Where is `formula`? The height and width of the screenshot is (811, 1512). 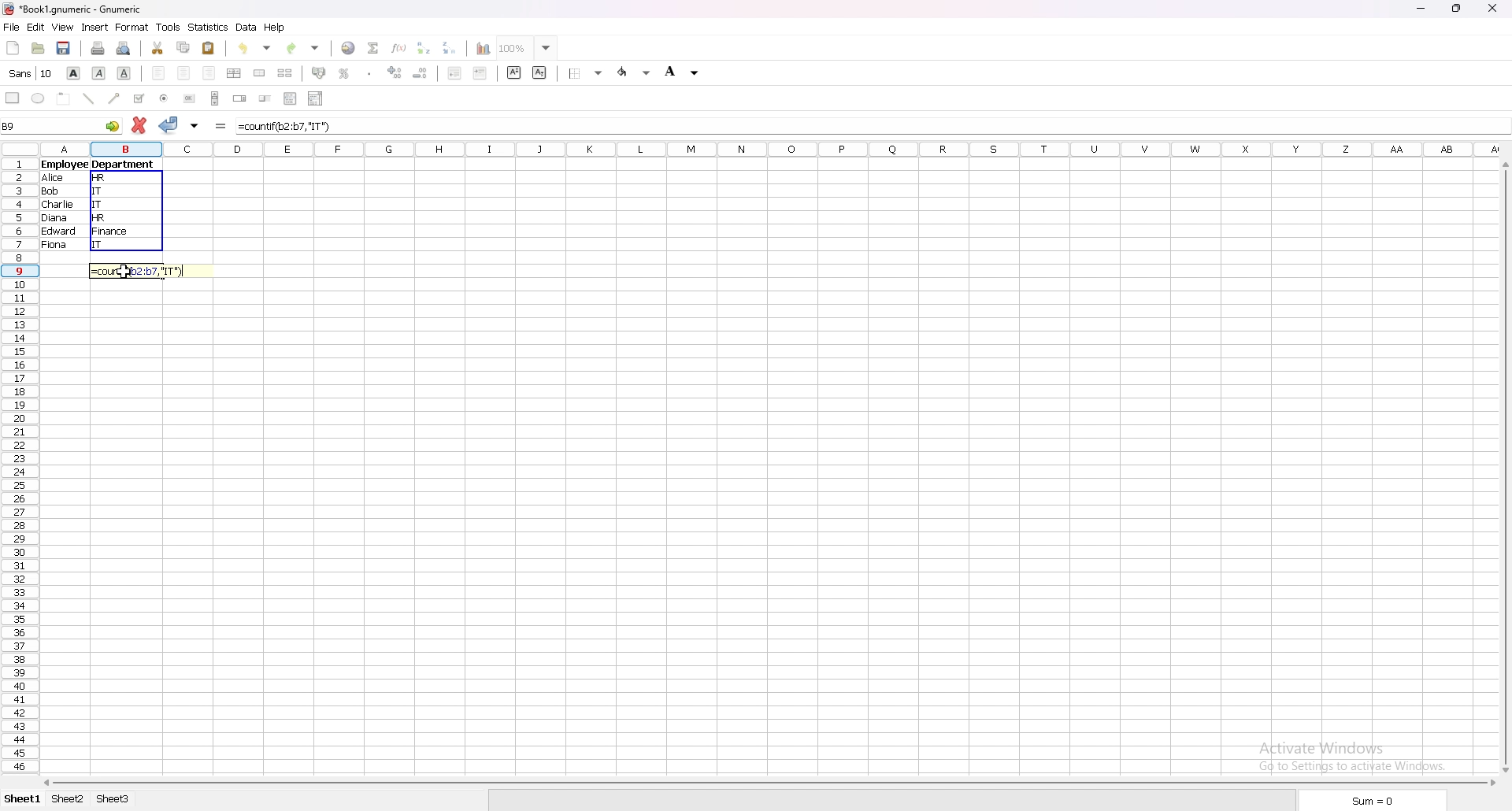 formula is located at coordinates (220, 125).